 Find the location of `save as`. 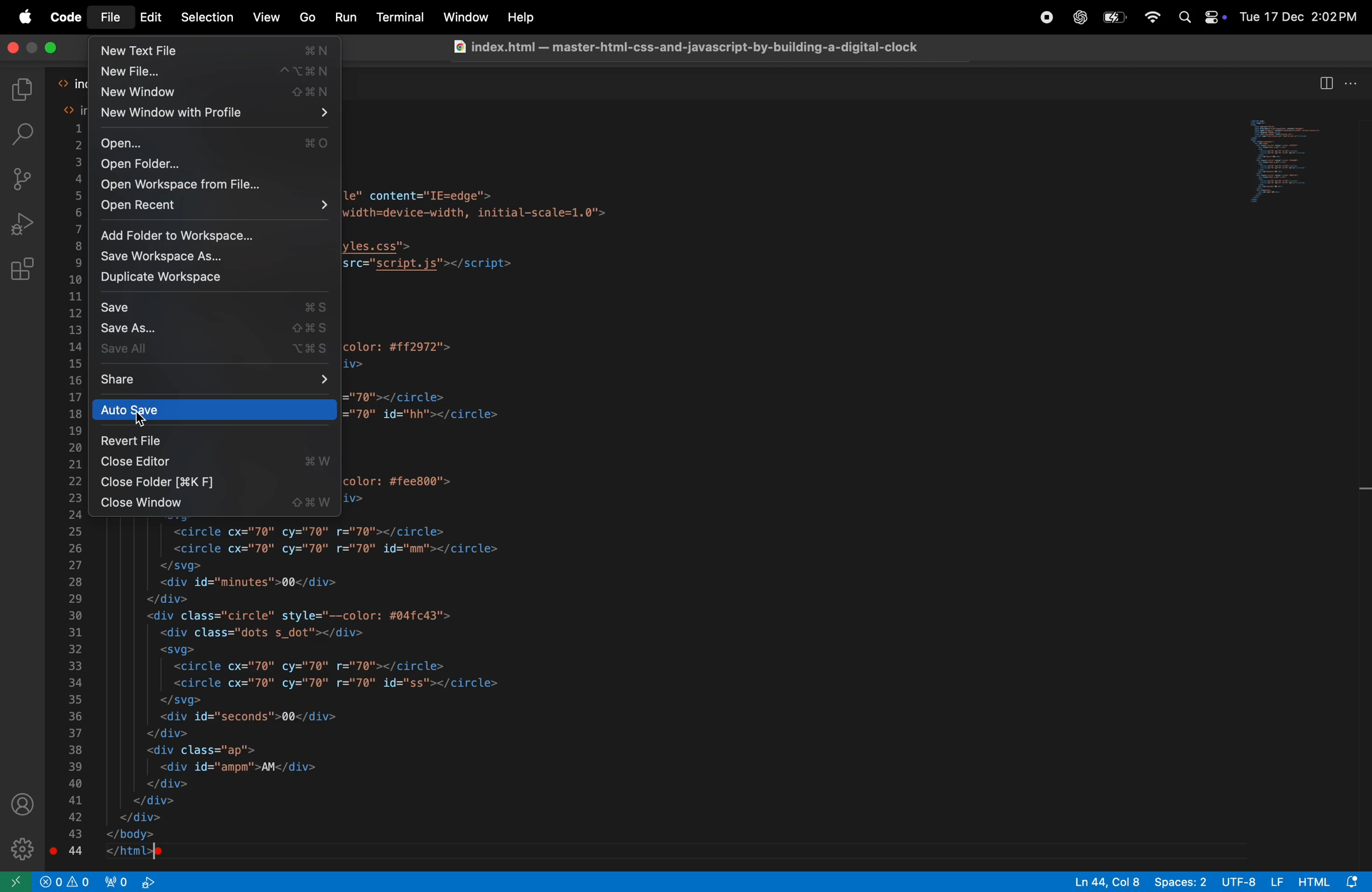

save as is located at coordinates (219, 330).